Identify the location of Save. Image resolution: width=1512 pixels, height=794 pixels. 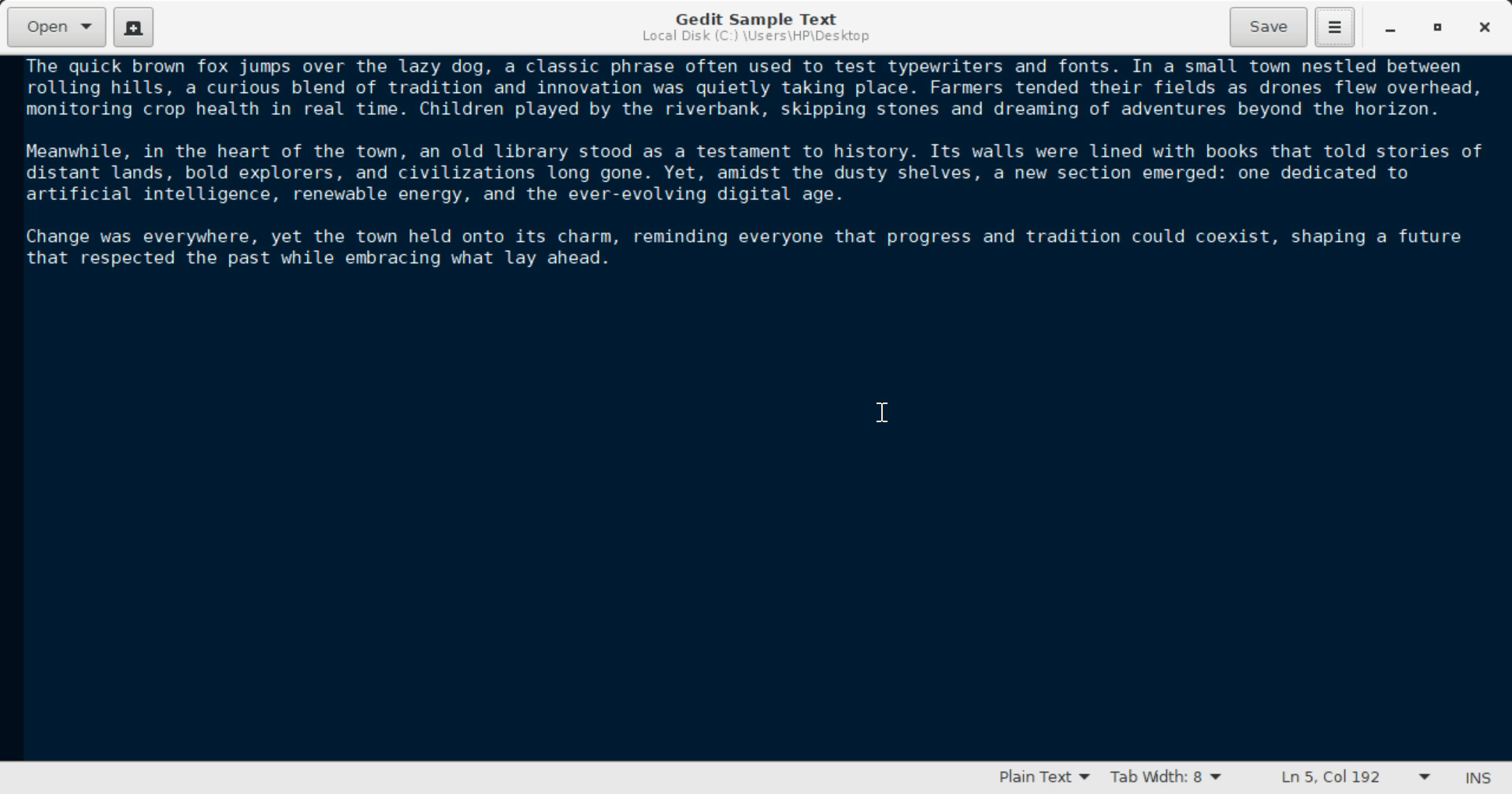
(1269, 25).